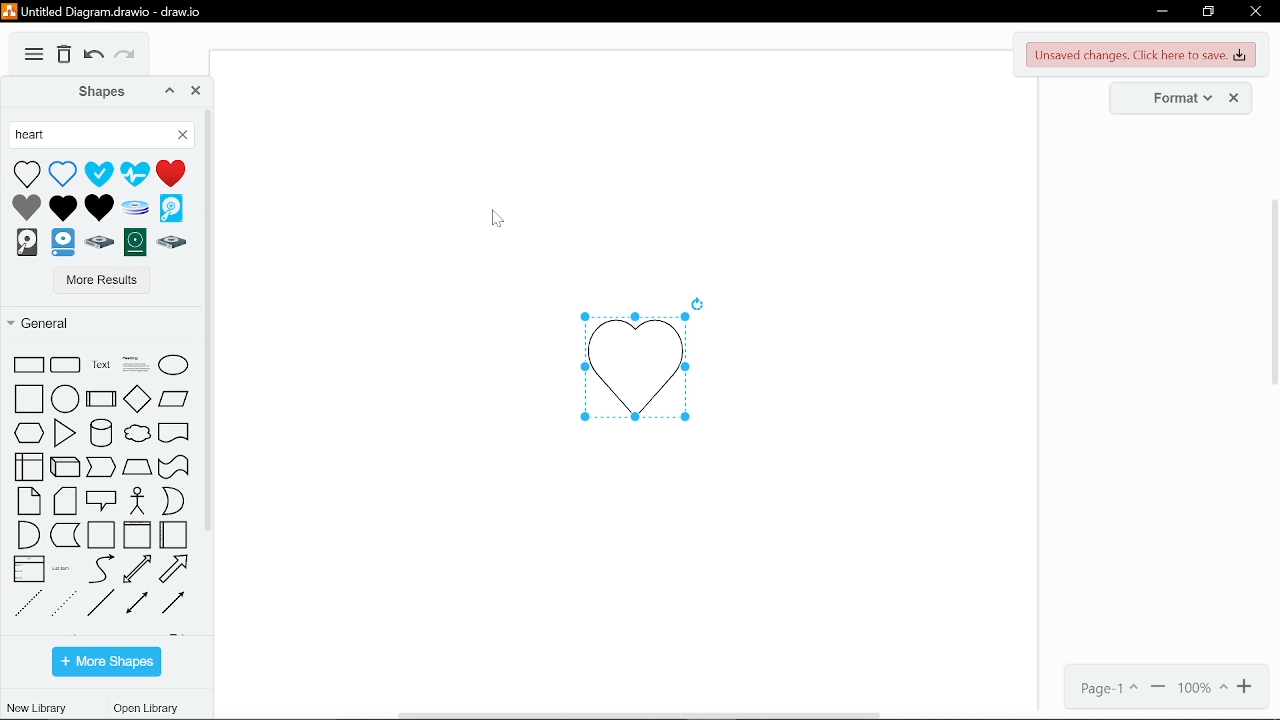 The image size is (1280, 720). What do you see at coordinates (184, 136) in the screenshot?
I see `close search section` at bounding box center [184, 136].